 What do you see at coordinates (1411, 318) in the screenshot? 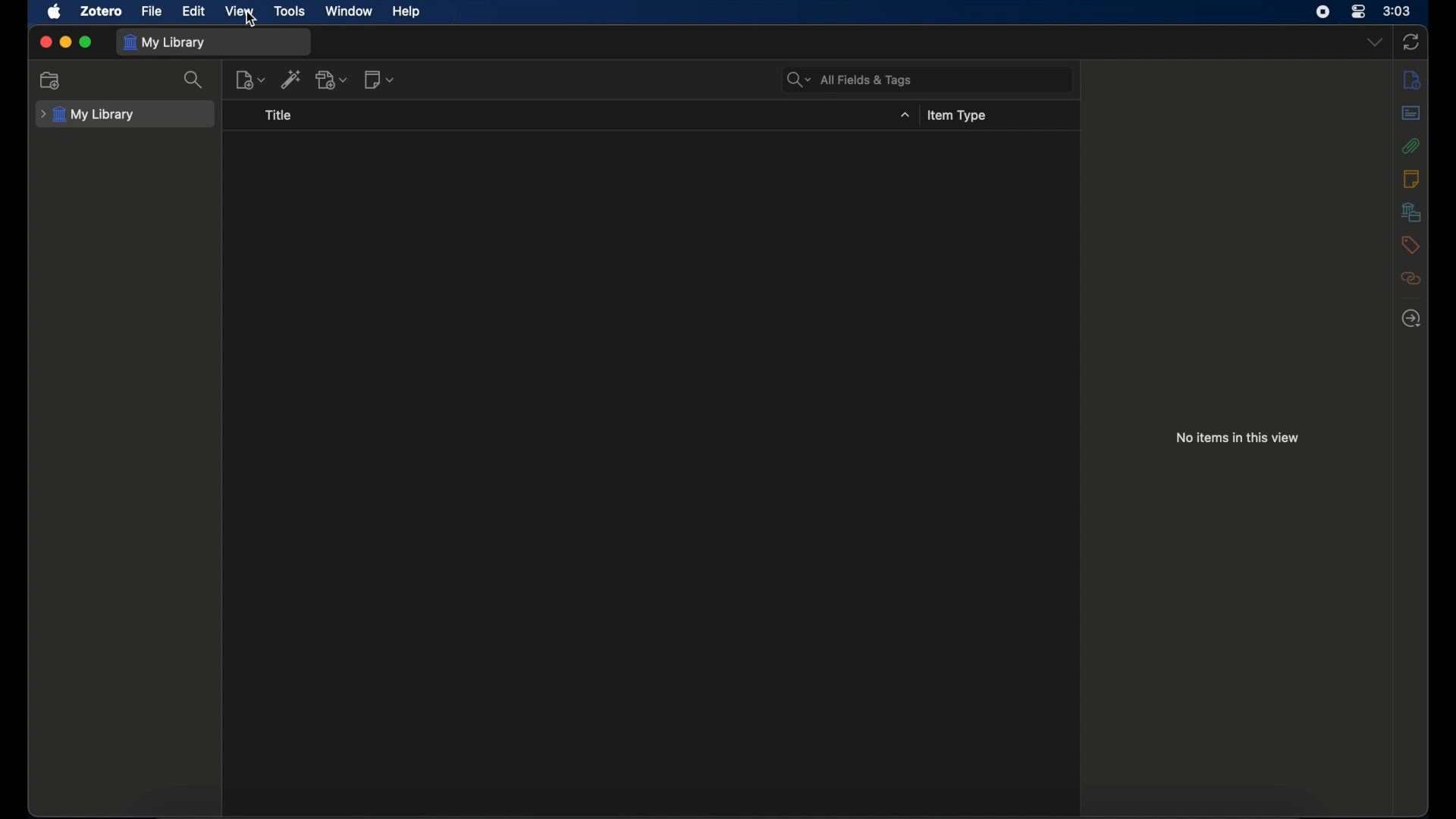
I see `locate` at bounding box center [1411, 318].